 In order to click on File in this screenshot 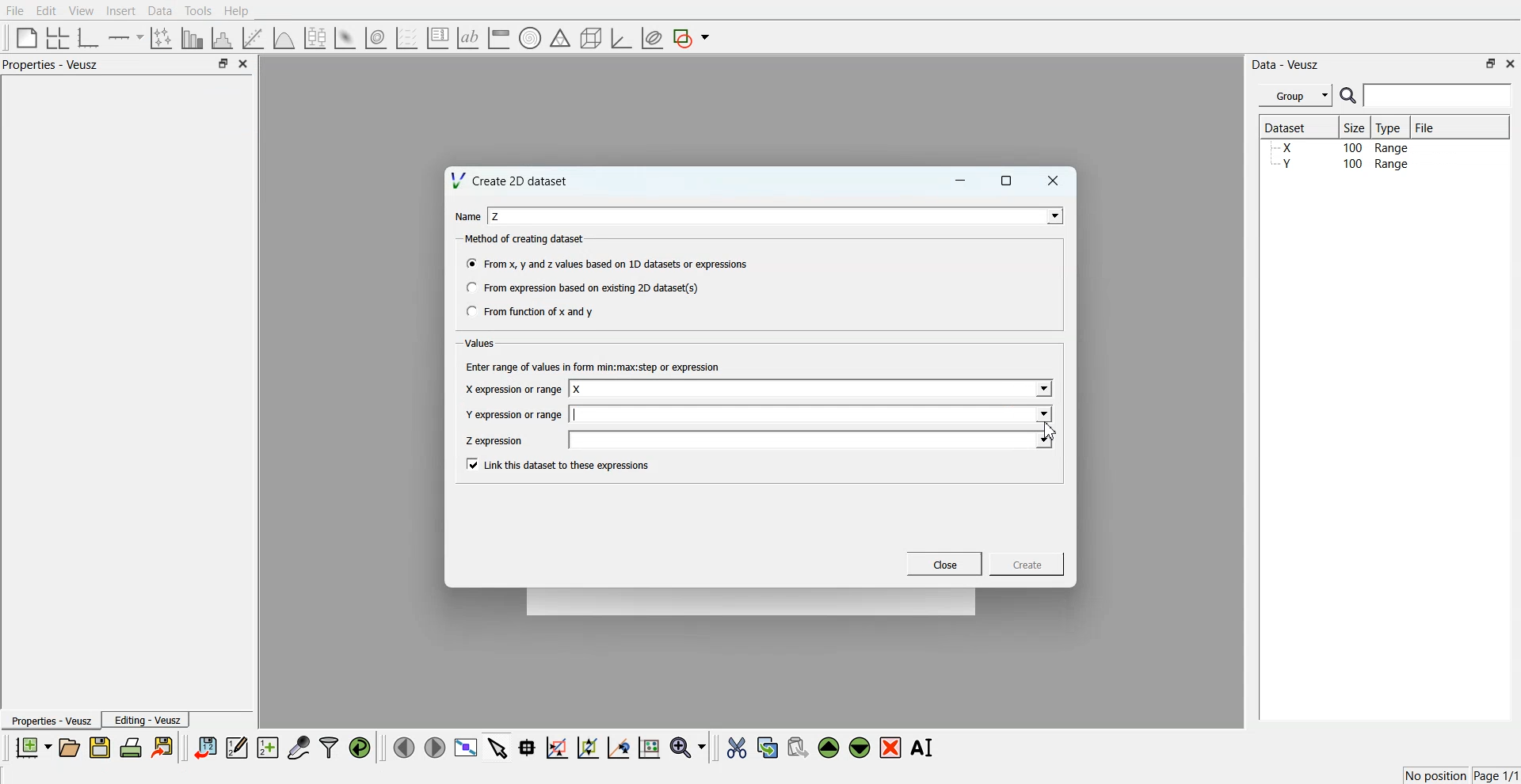, I will do `click(15, 10)`.